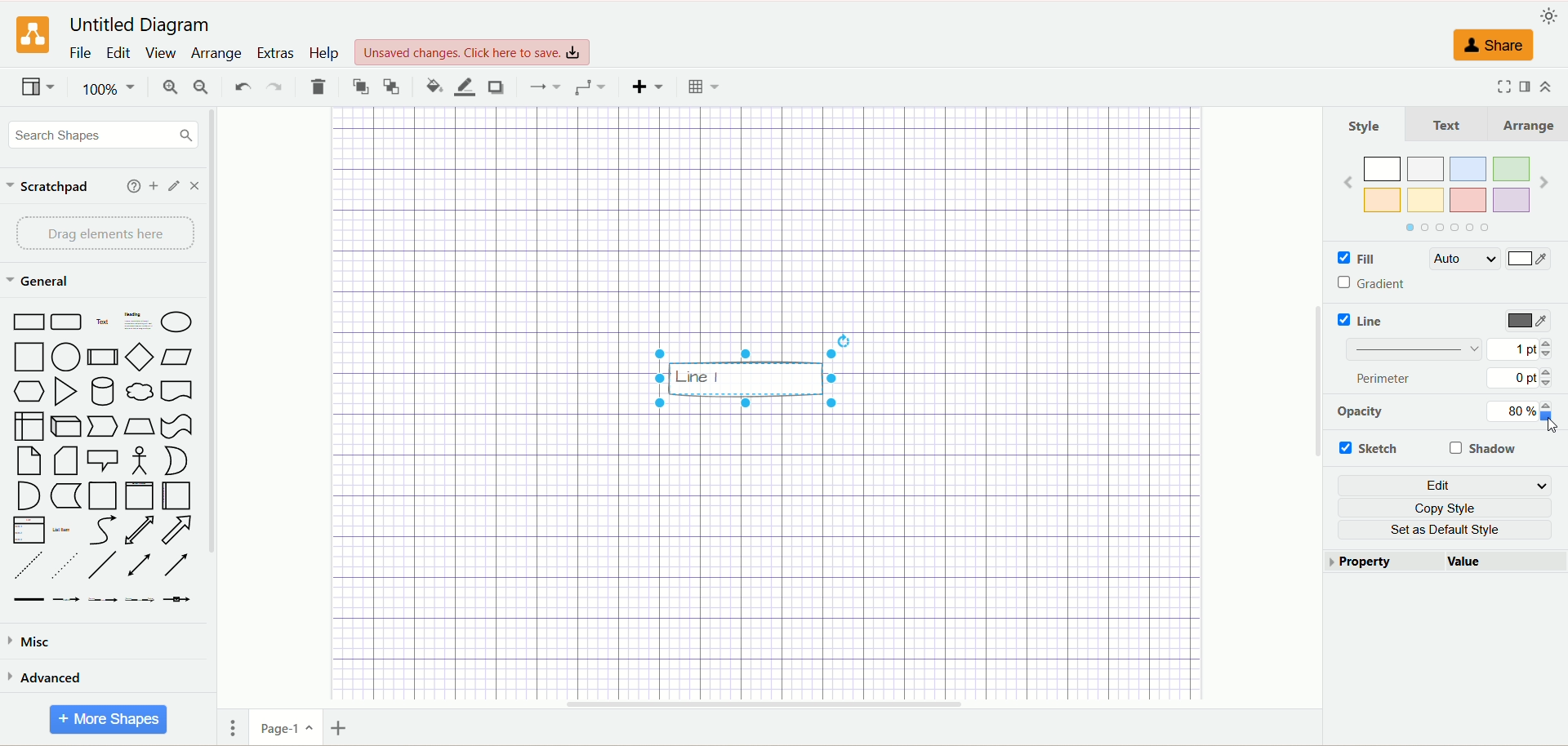 This screenshot has width=1568, height=746. I want to click on sketch, so click(1371, 446).